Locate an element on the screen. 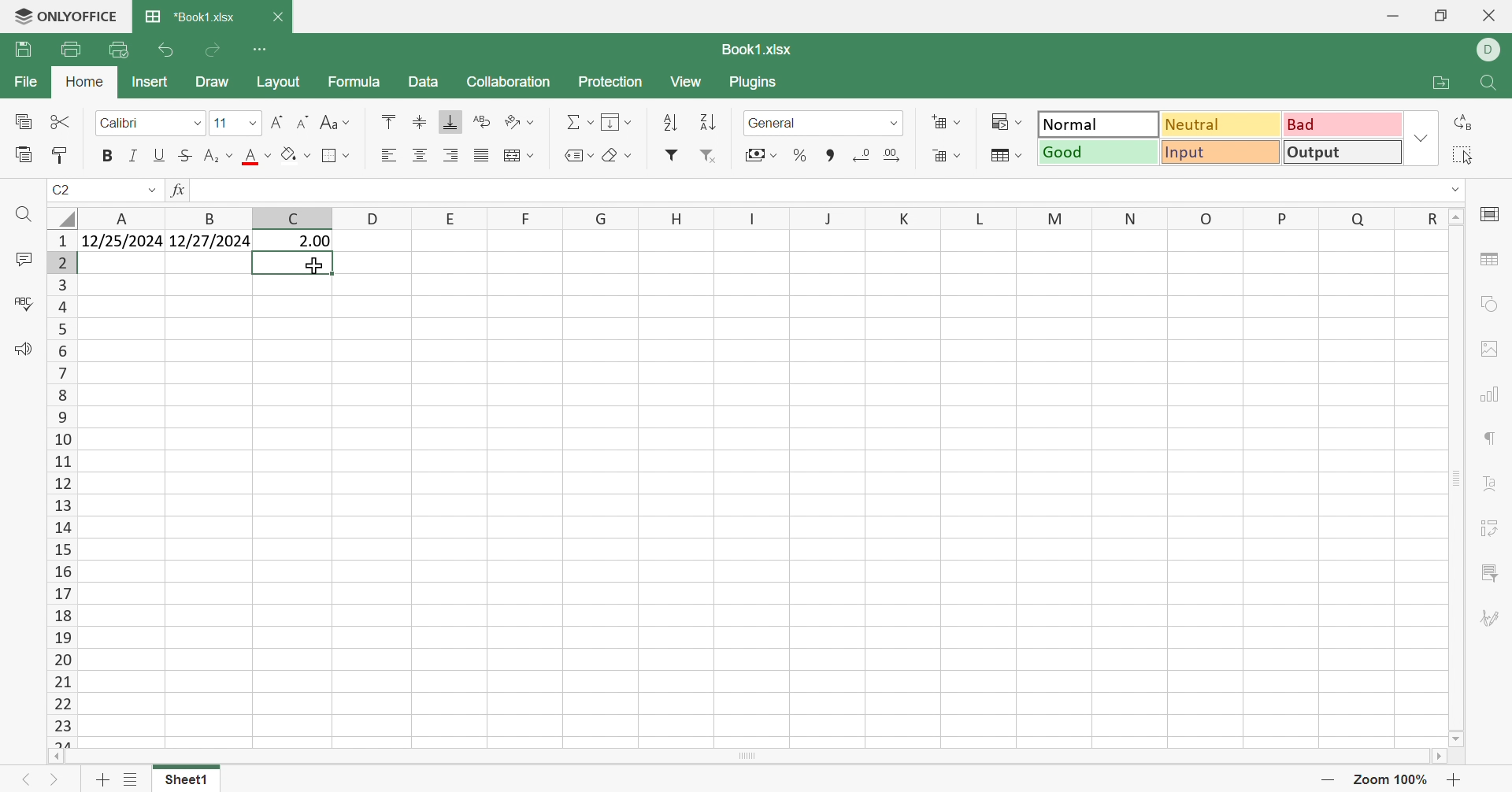  Paragraph settings is located at coordinates (1489, 442).